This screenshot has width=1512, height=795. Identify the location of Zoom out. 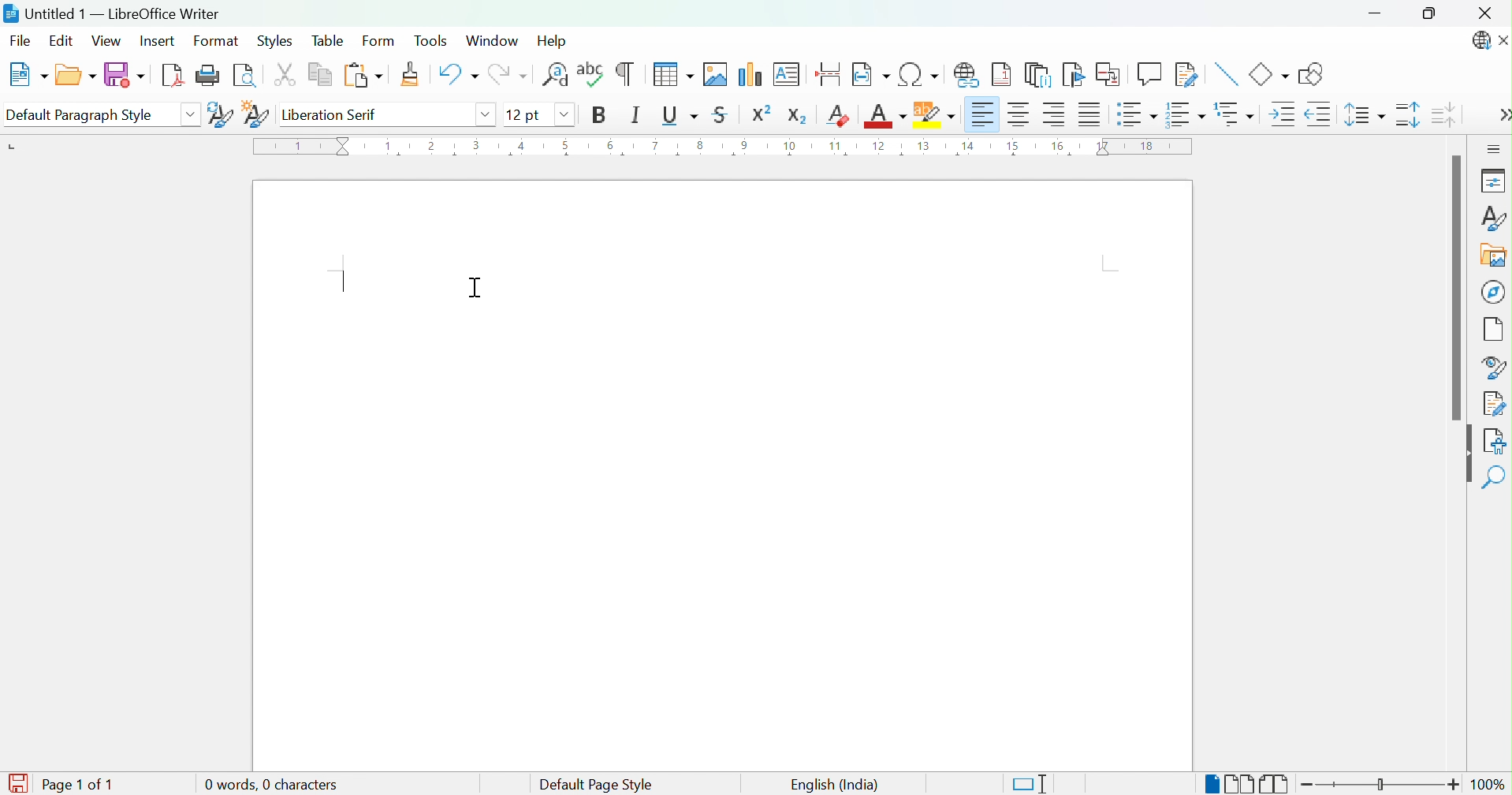
(1313, 787).